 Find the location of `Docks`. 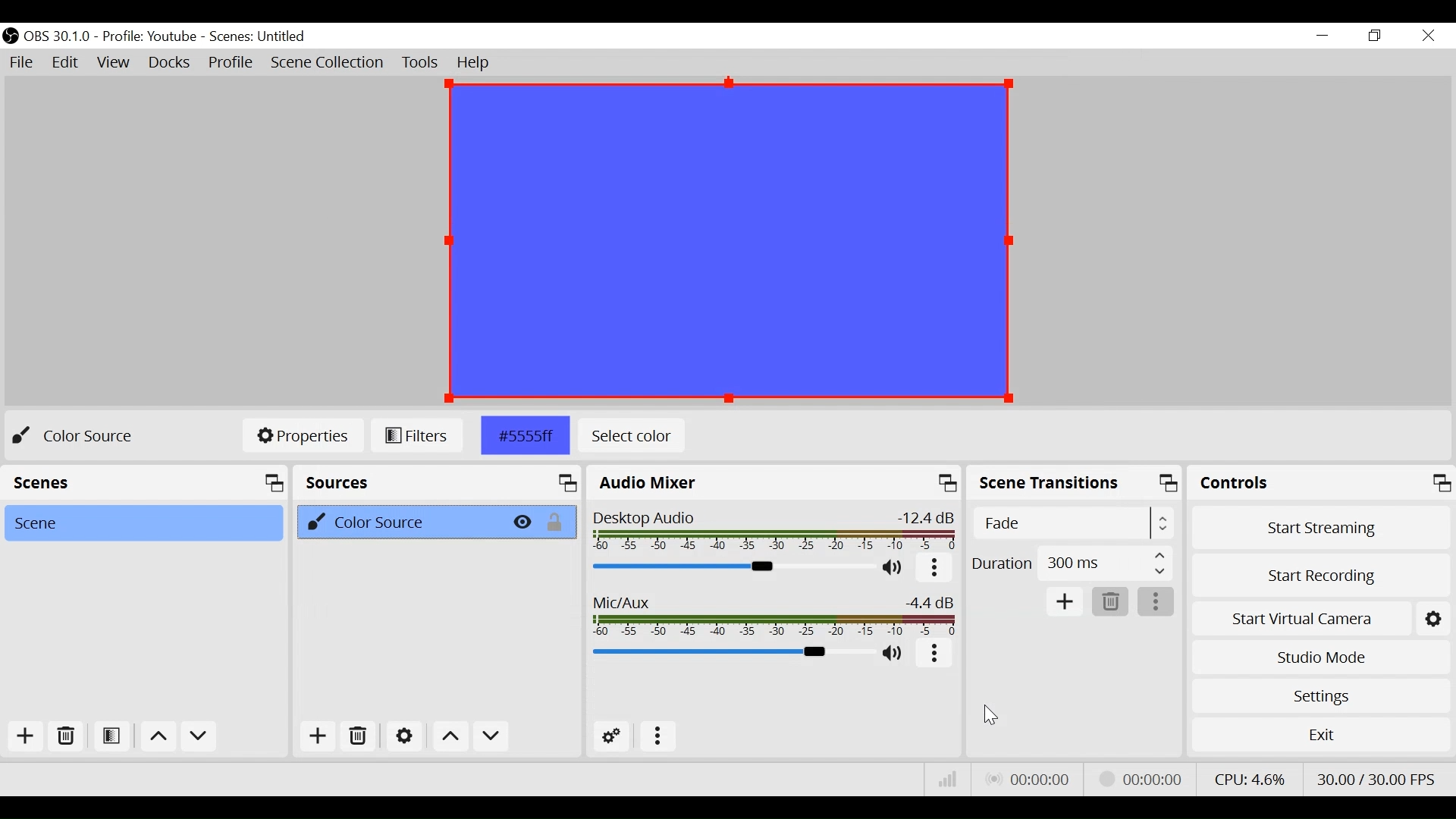

Docks is located at coordinates (171, 63).